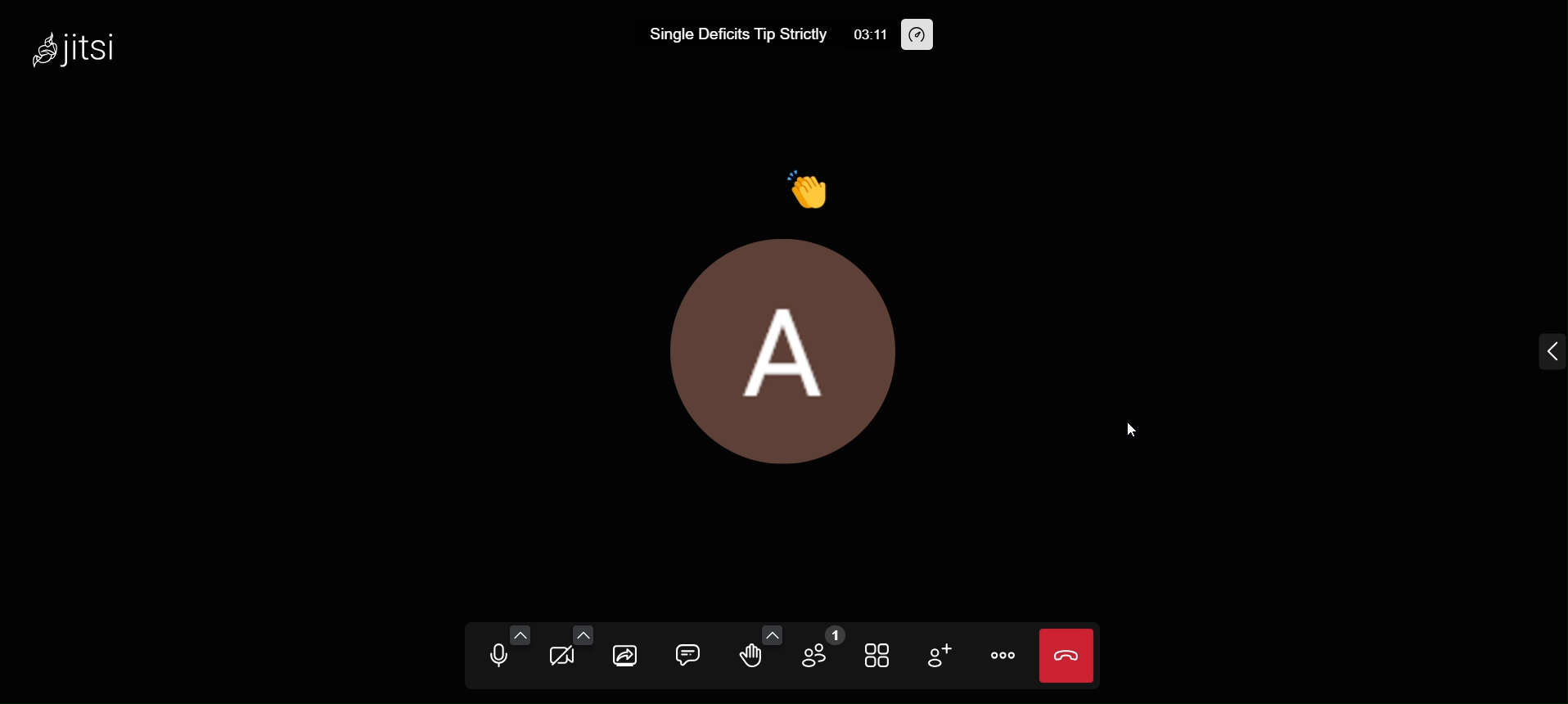 Image resolution: width=1568 pixels, height=704 pixels. Describe the element at coordinates (768, 633) in the screenshot. I see `more emoji` at that location.